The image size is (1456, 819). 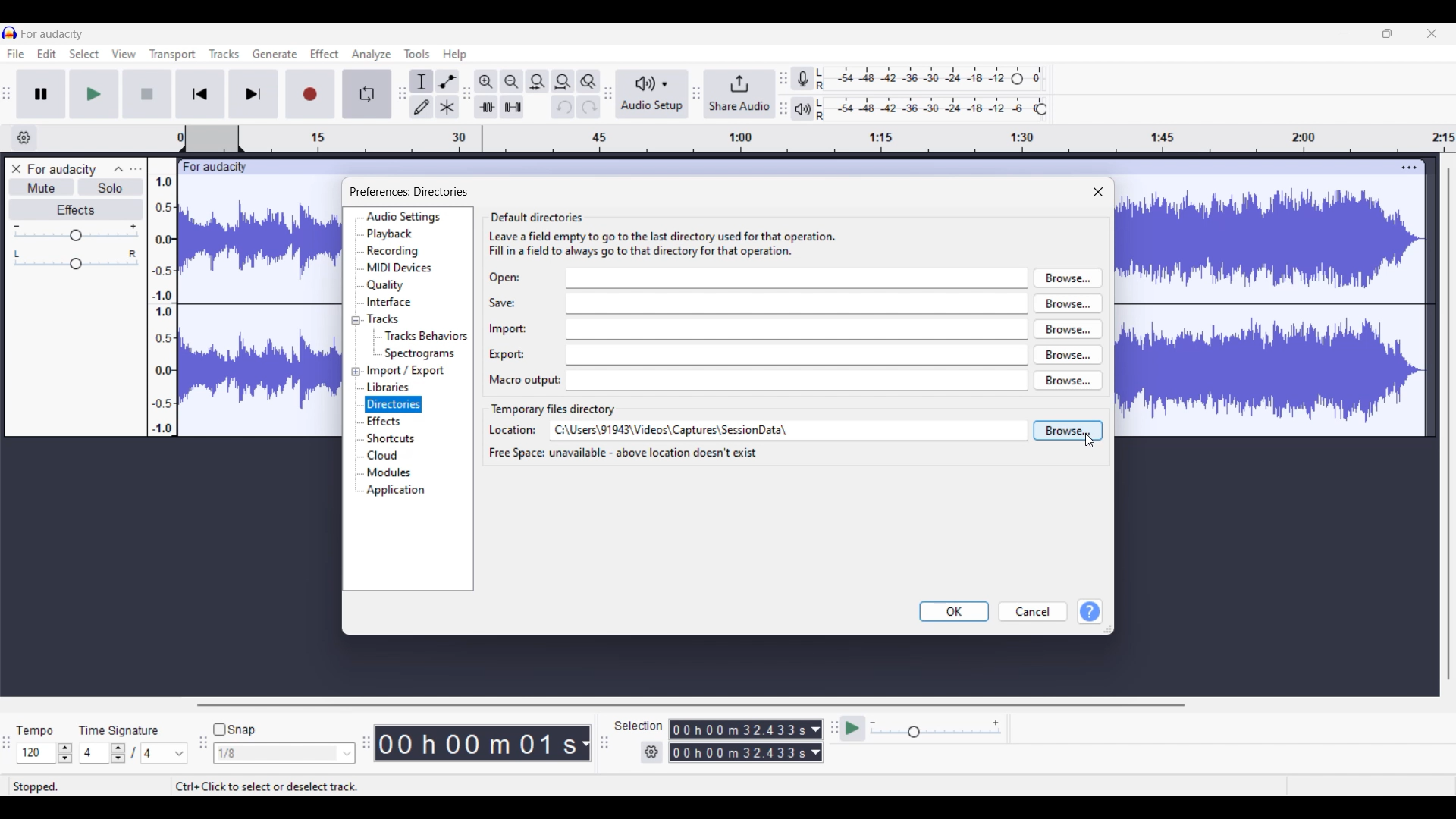 I want to click on Import/Export, so click(x=407, y=370).